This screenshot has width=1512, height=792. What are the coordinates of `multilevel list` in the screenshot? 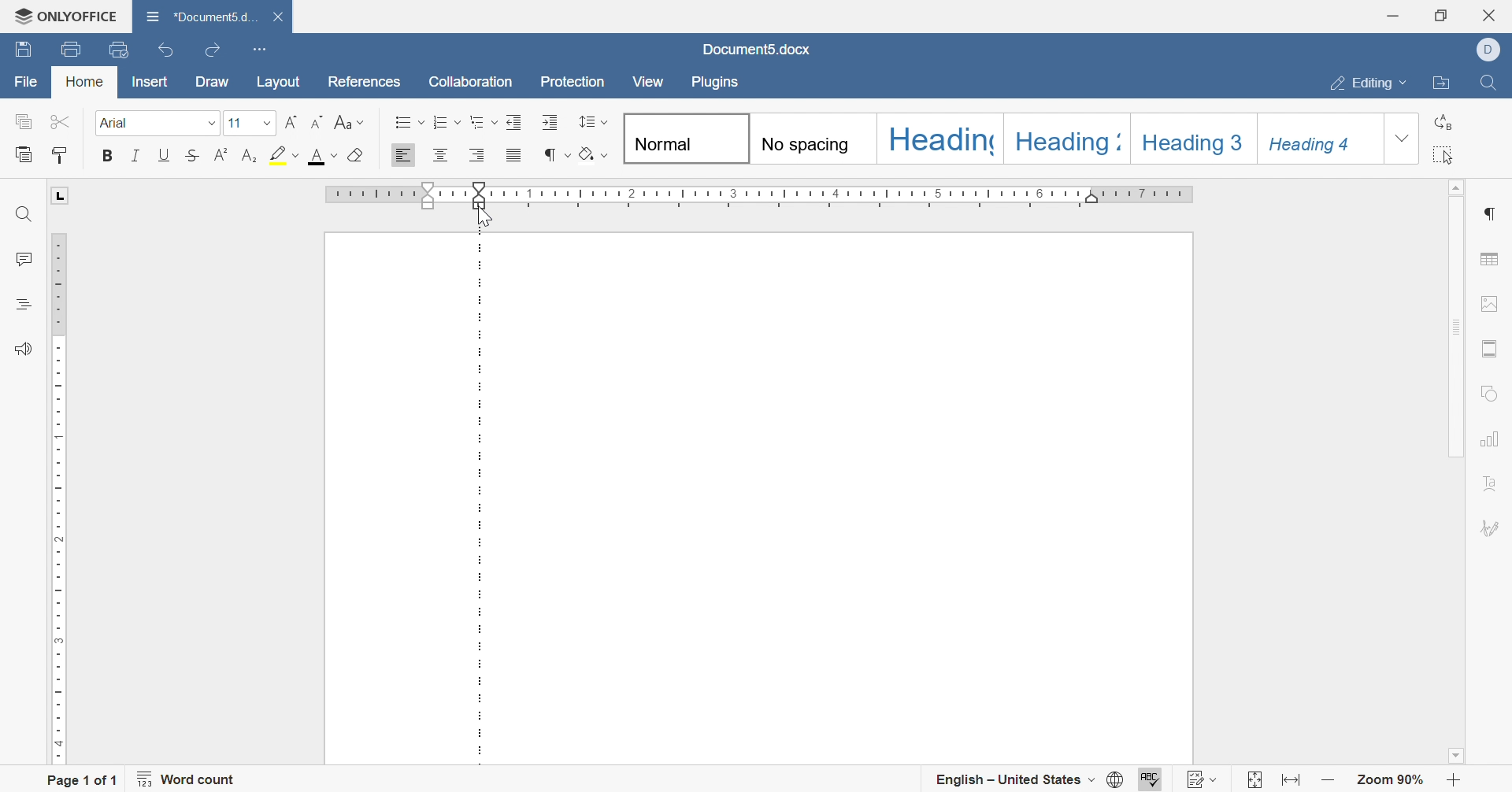 It's located at (483, 121).